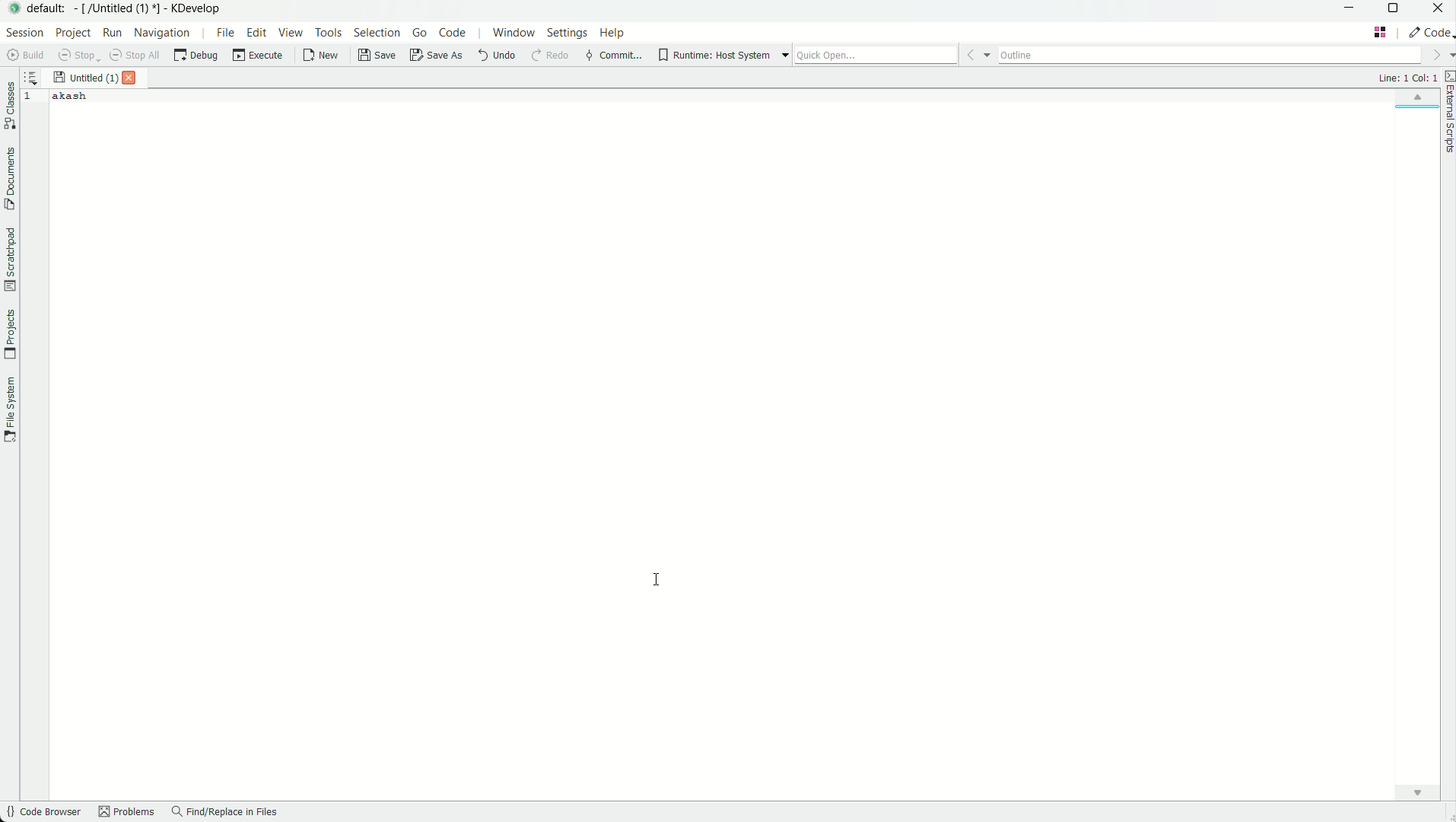 The image size is (1456, 822). Describe the element at coordinates (259, 56) in the screenshot. I see `execute` at that location.